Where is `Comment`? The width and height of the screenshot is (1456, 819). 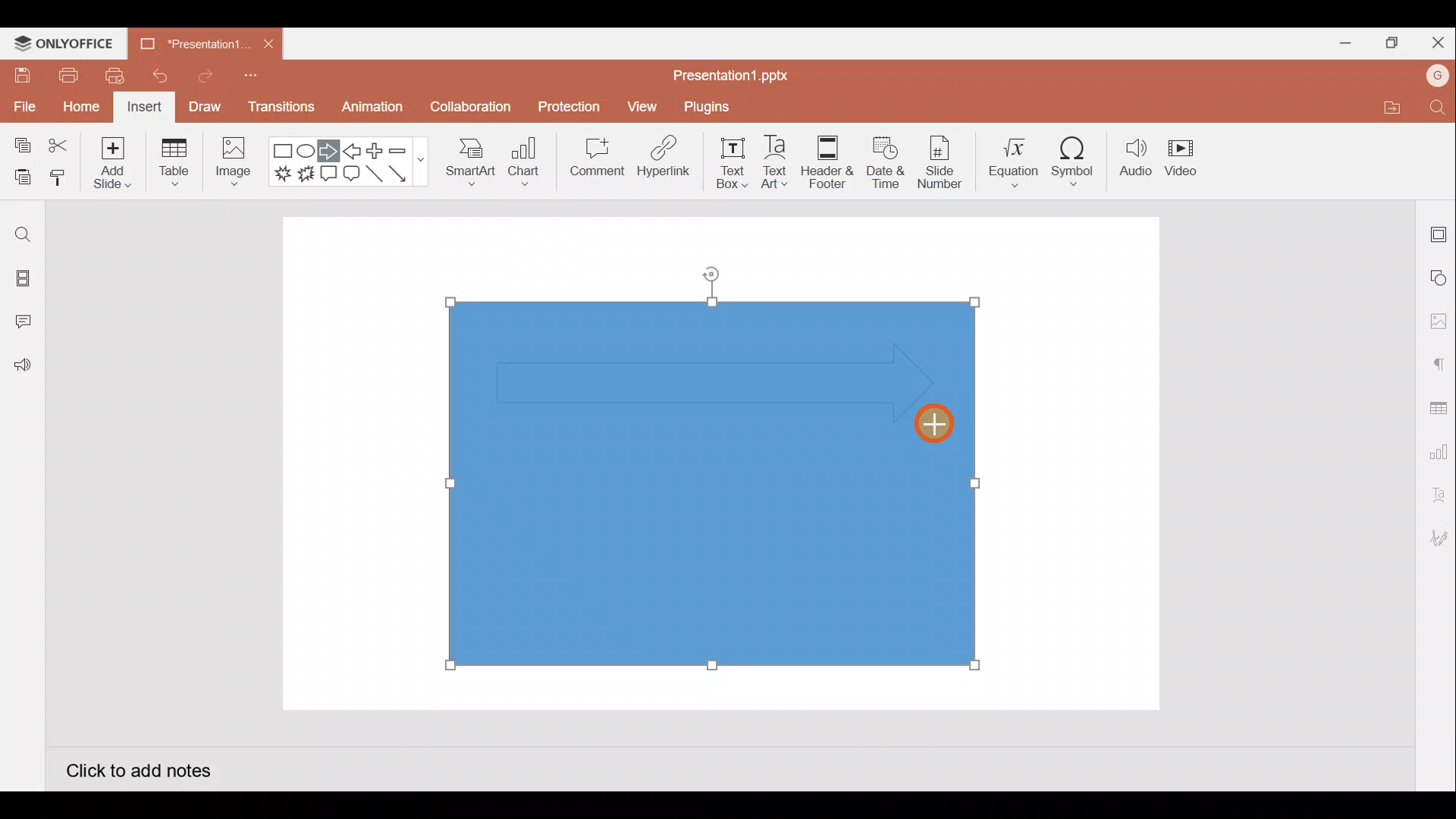 Comment is located at coordinates (591, 160).